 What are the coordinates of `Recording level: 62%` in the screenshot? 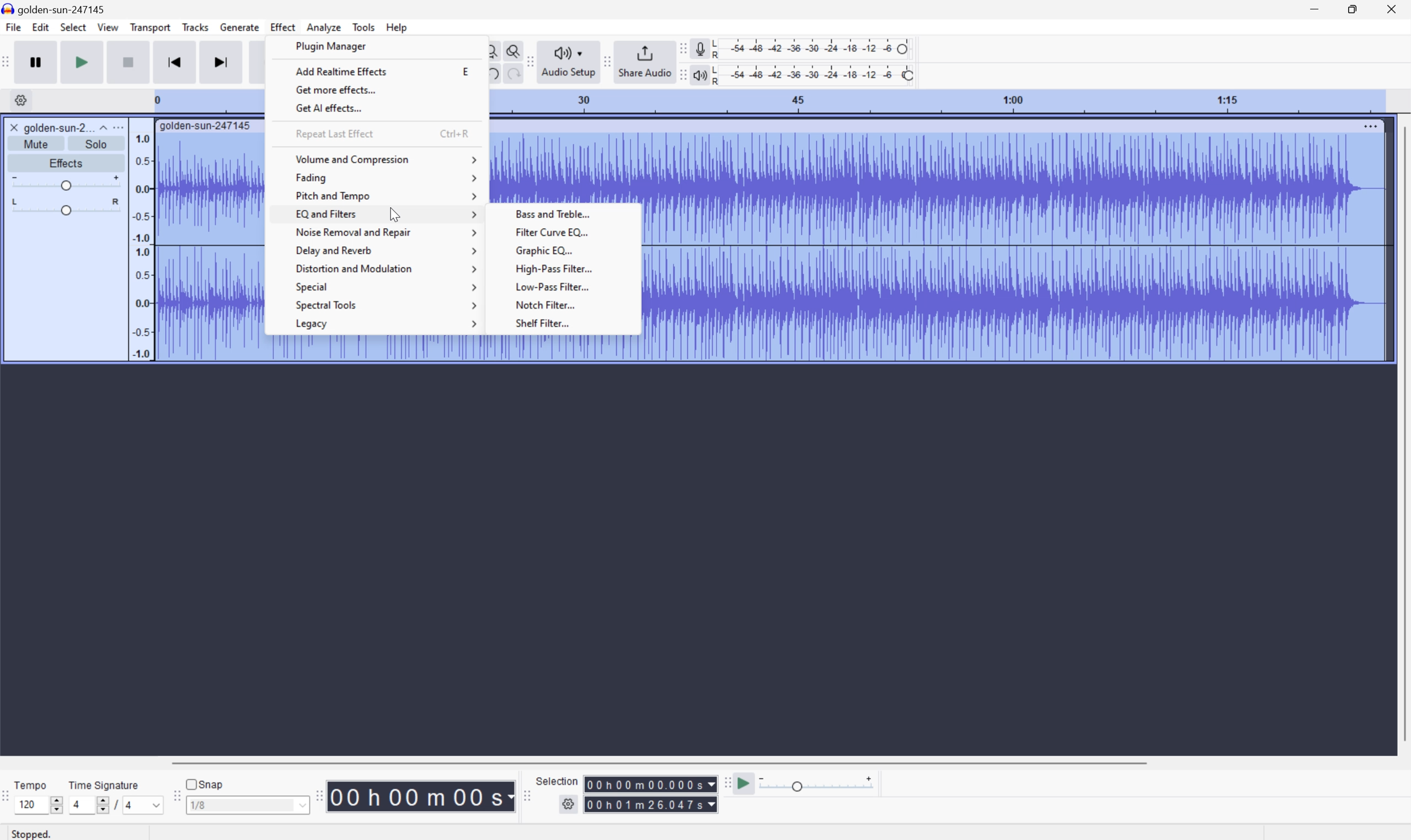 It's located at (813, 49).